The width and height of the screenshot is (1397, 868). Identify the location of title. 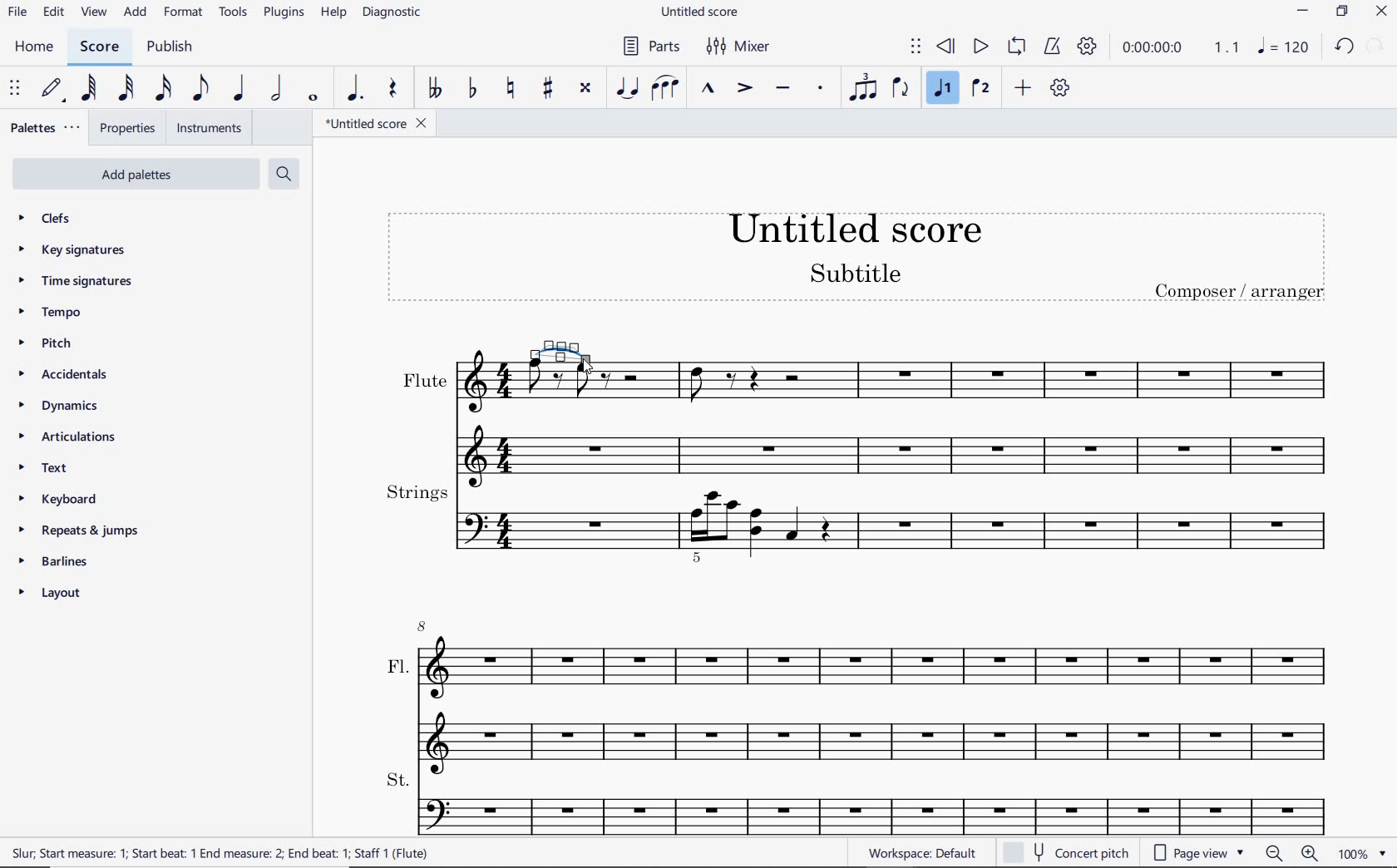
(856, 259).